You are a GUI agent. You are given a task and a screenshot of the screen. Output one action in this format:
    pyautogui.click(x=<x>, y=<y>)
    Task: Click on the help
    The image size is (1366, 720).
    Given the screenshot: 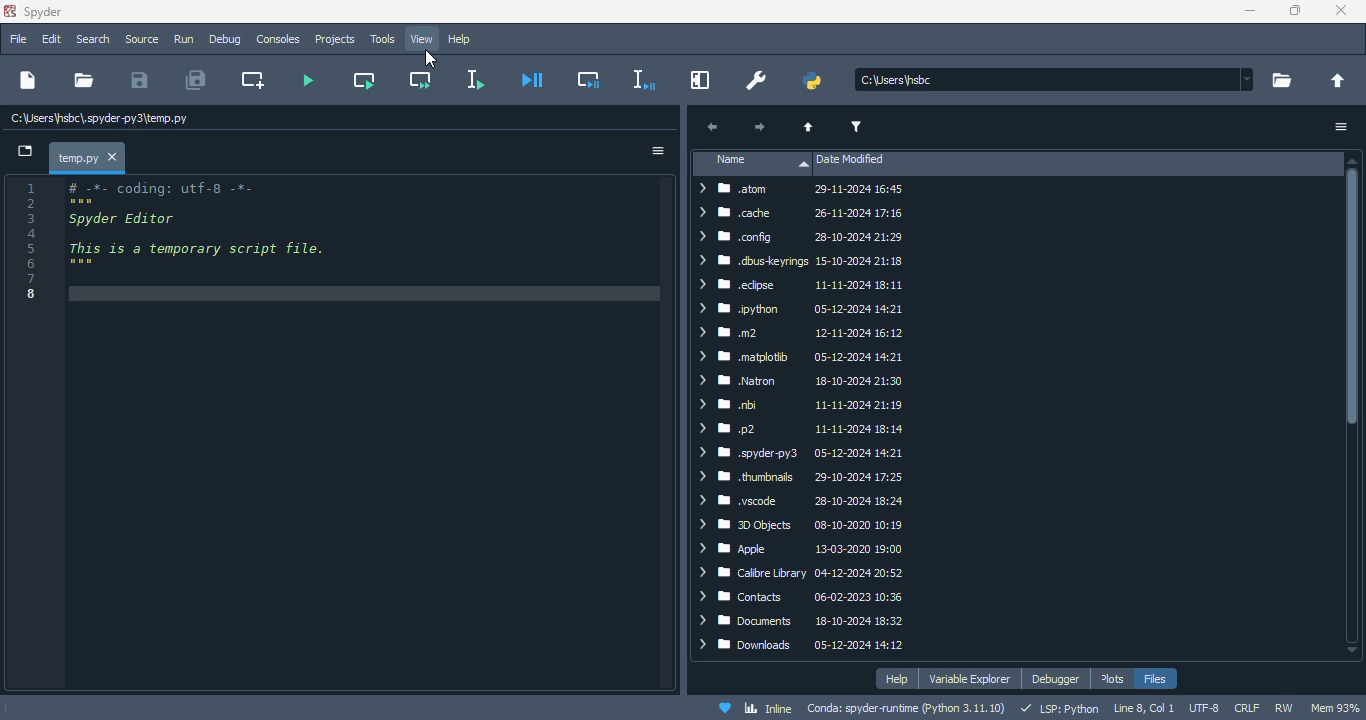 What is the action you would take?
    pyautogui.click(x=897, y=679)
    